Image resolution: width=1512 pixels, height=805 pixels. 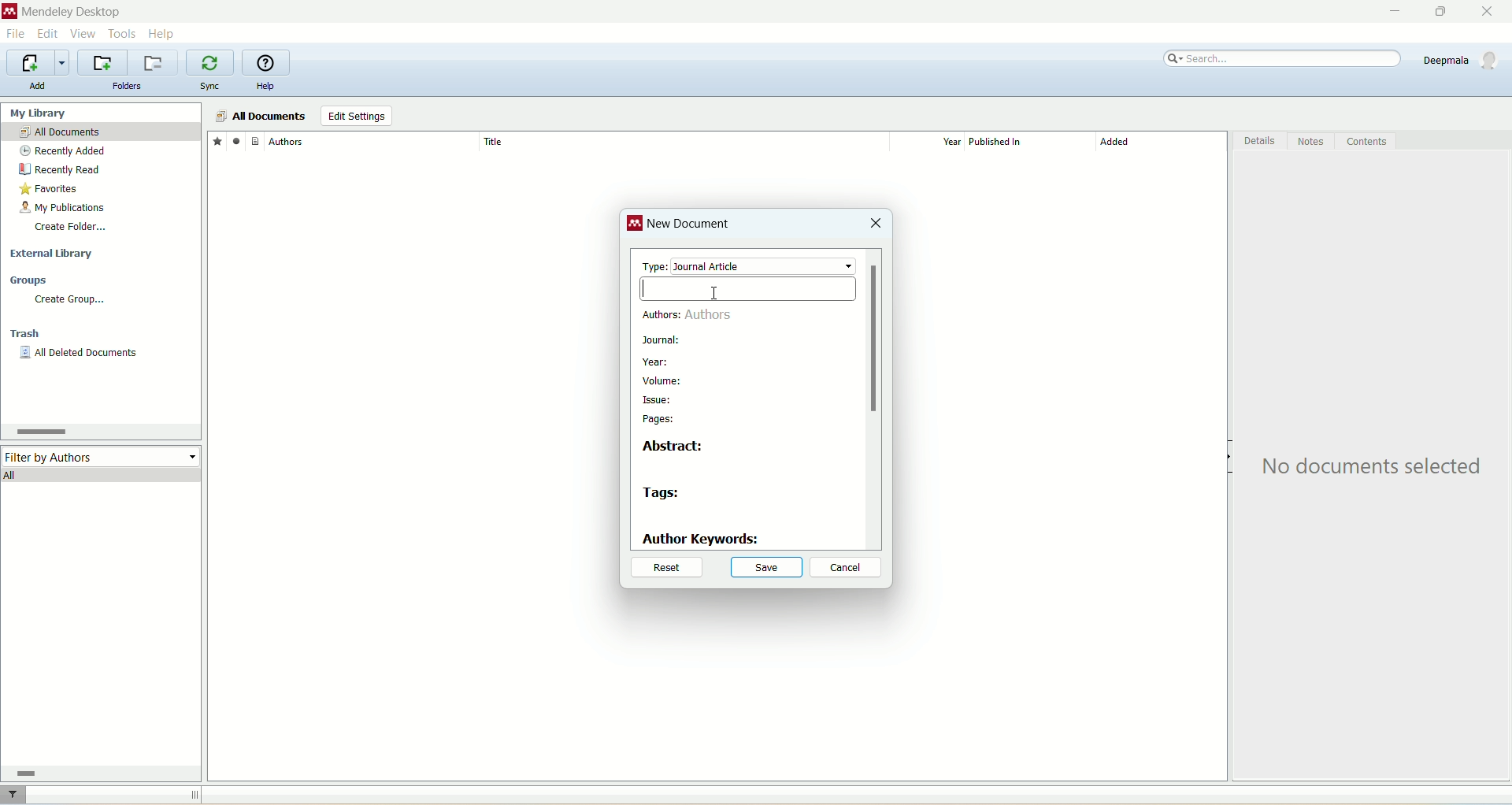 I want to click on save, so click(x=767, y=566).